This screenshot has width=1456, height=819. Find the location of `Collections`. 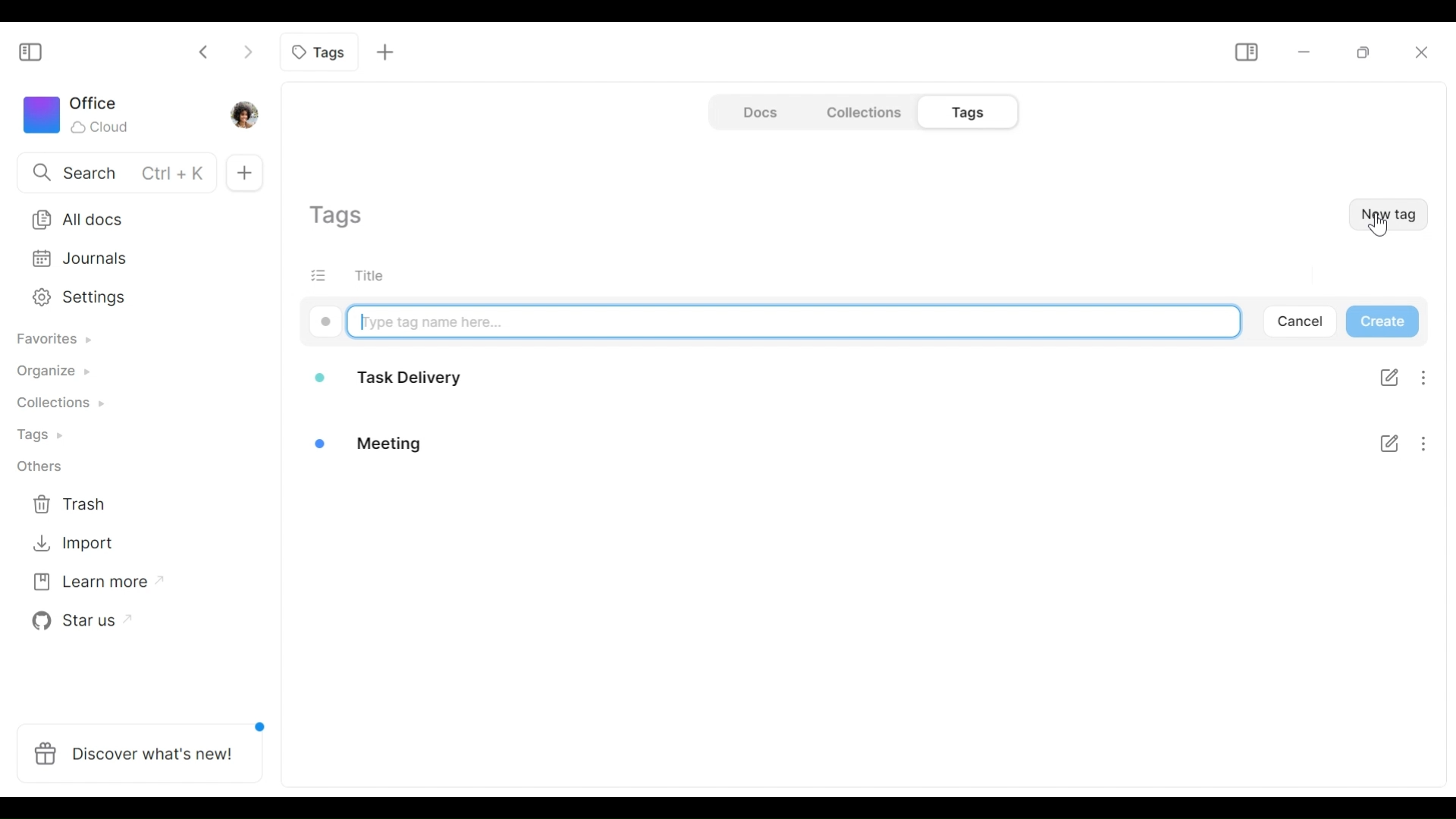

Collections is located at coordinates (861, 113).